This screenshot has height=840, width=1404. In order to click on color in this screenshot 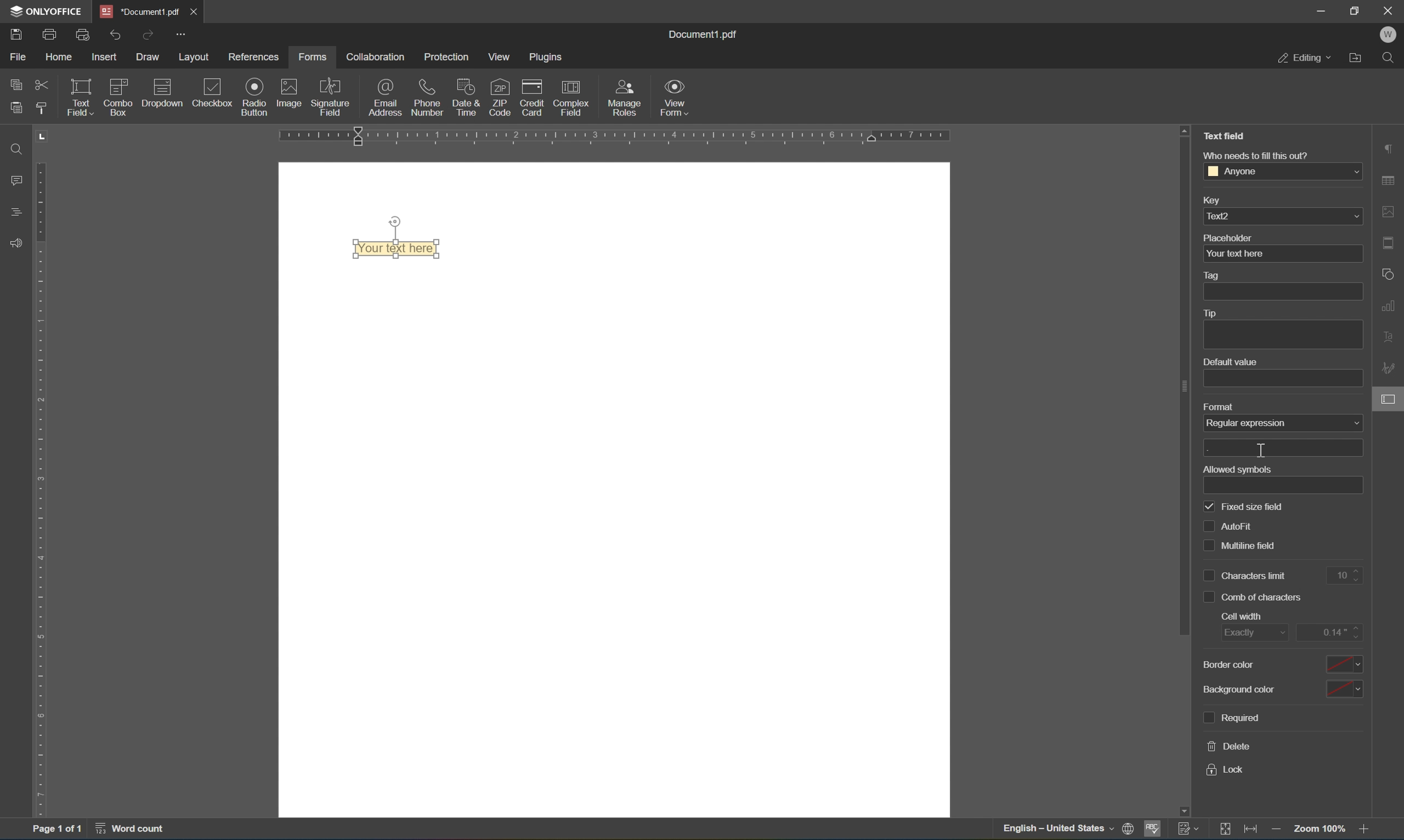, I will do `click(1343, 690)`.